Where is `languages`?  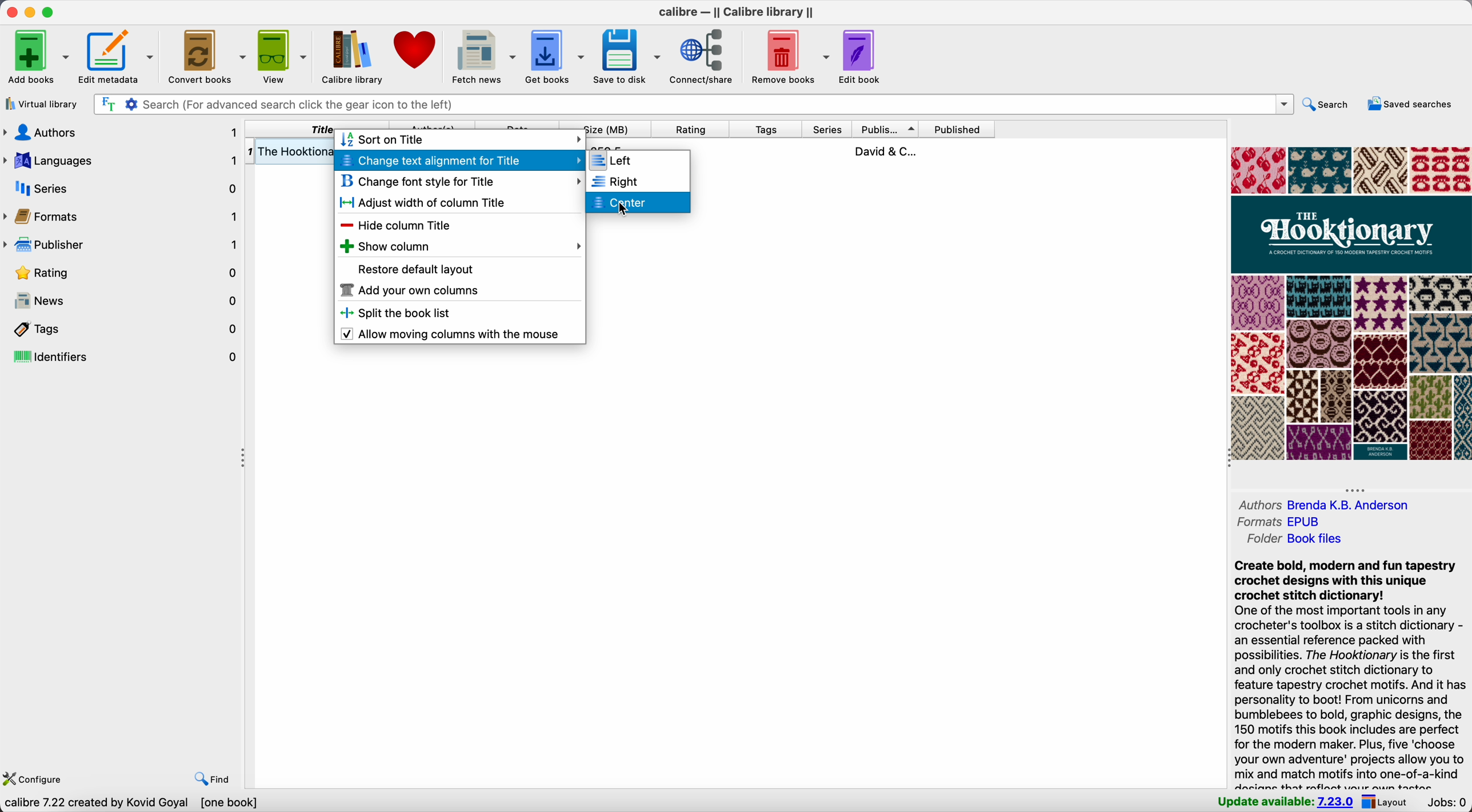 languages is located at coordinates (121, 161).